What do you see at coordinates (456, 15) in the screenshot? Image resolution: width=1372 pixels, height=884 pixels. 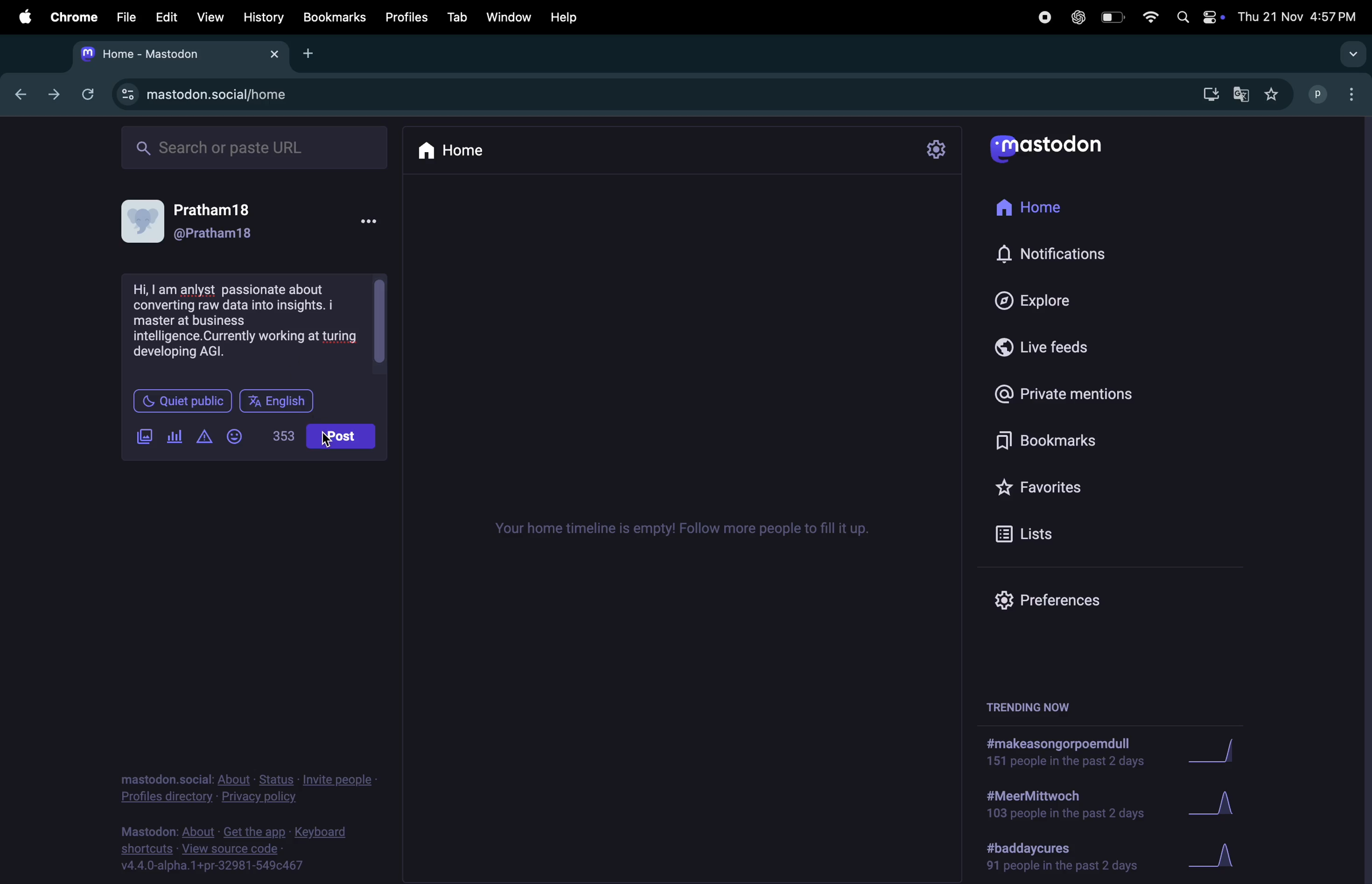 I see `tab` at bounding box center [456, 15].